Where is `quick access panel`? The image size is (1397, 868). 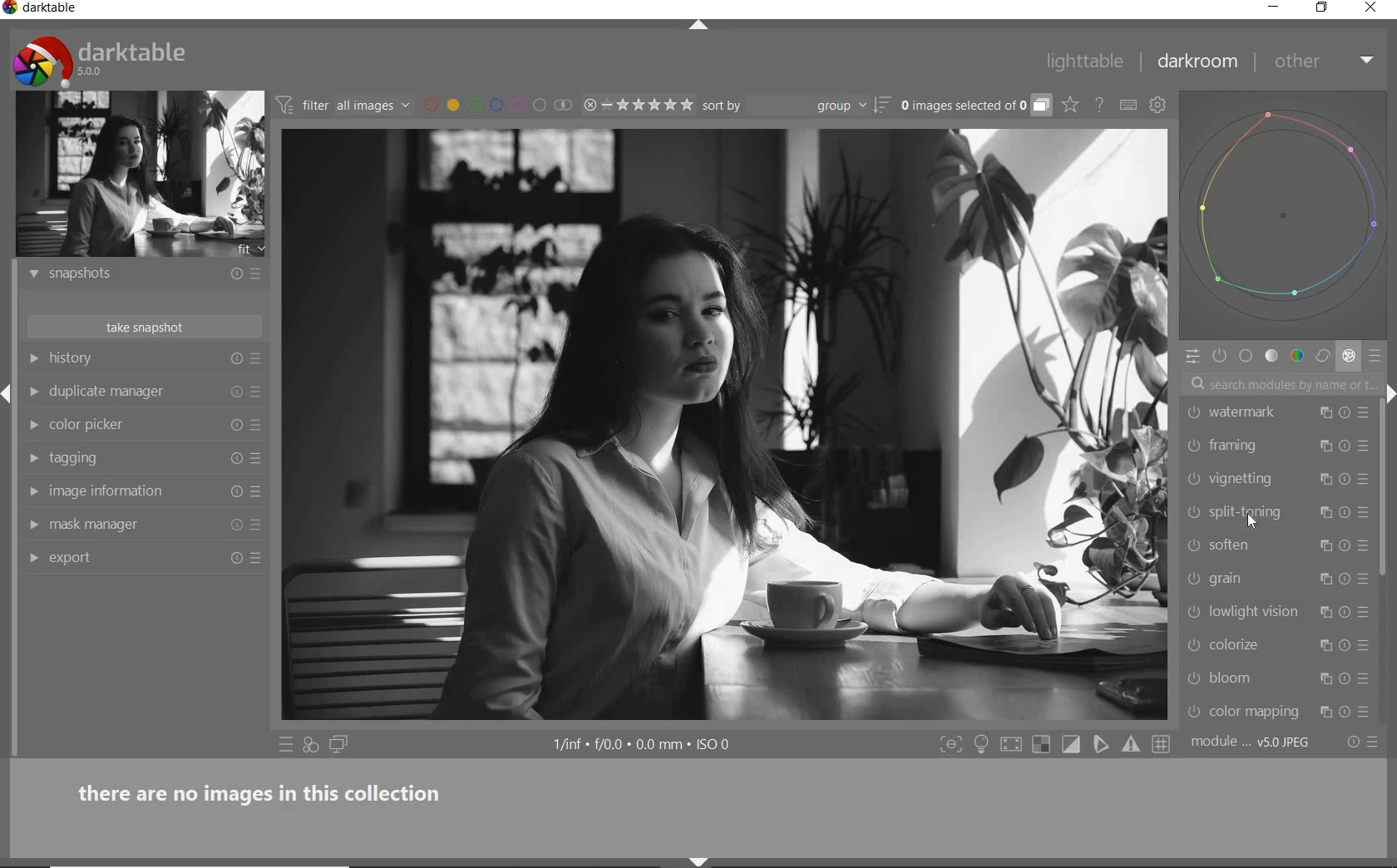
quick access panel is located at coordinates (1192, 356).